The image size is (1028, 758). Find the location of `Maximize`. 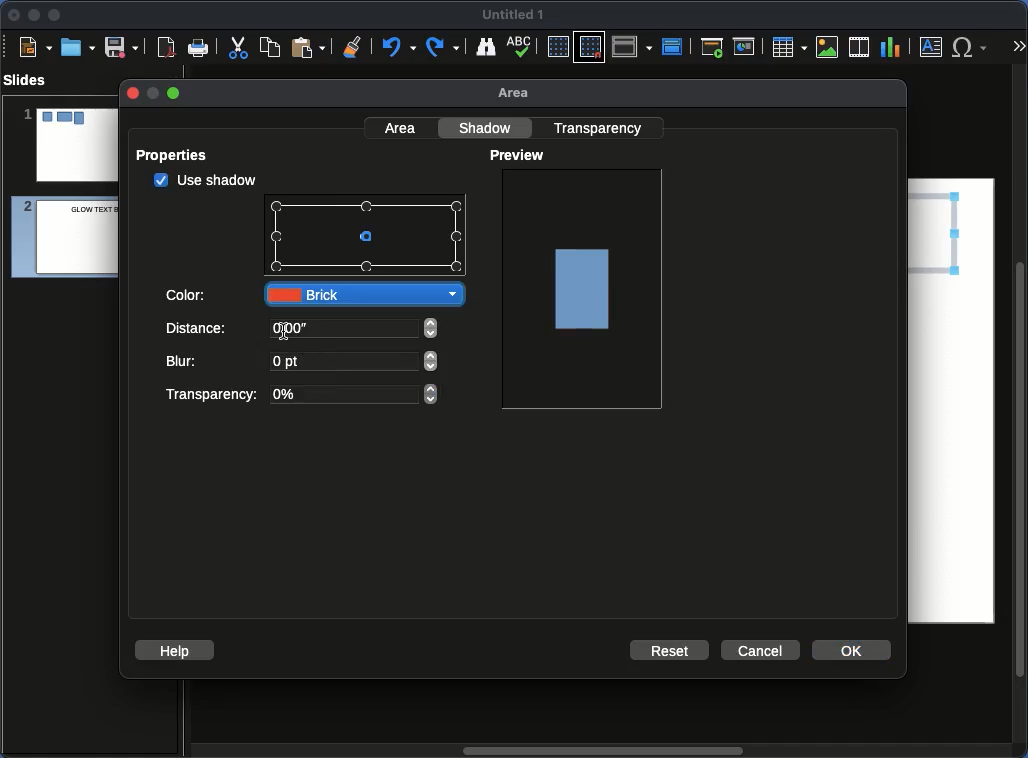

Maximize is located at coordinates (55, 17).